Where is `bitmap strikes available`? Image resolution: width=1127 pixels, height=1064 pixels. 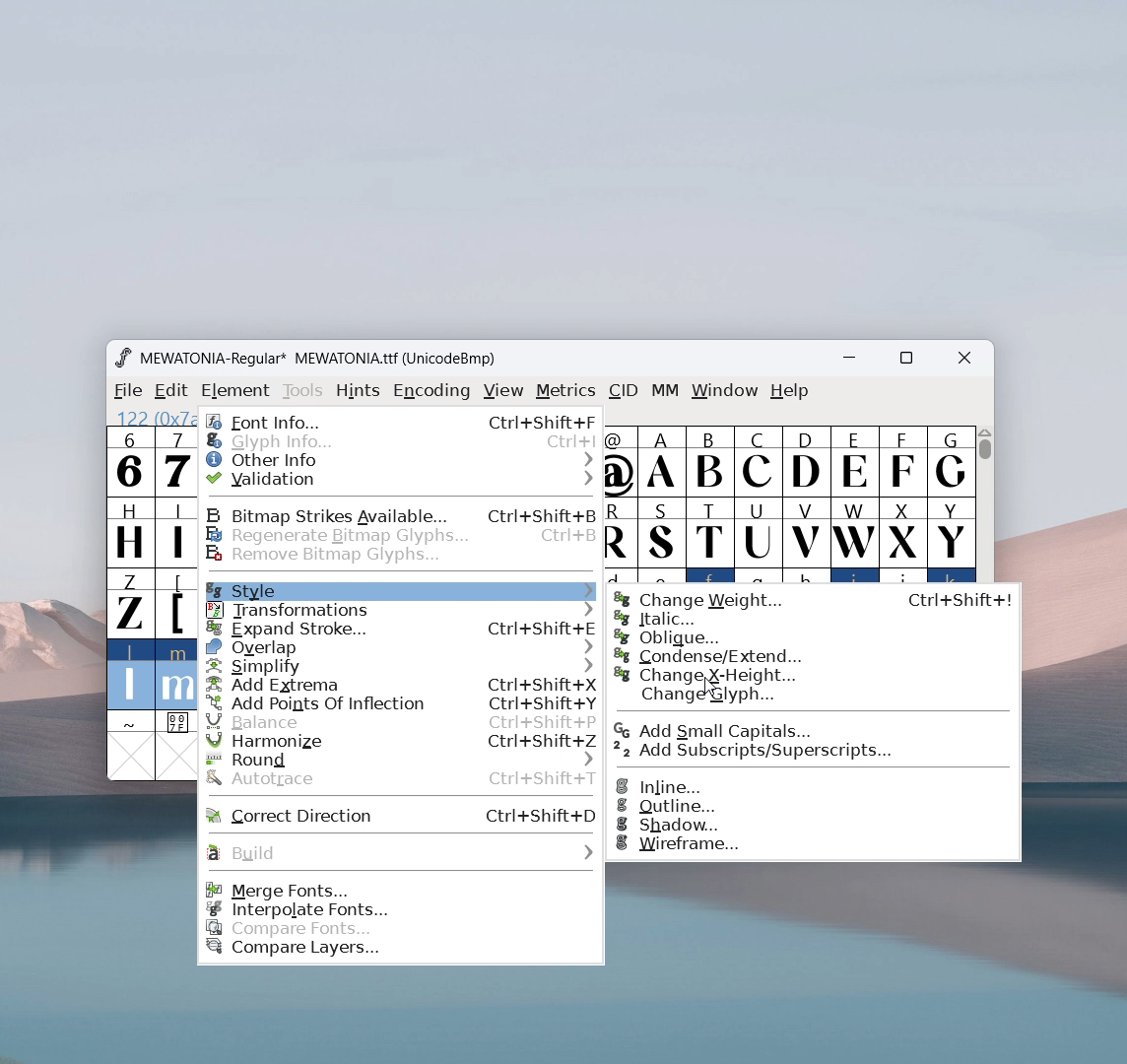
bitmap strikes available is located at coordinates (401, 514).